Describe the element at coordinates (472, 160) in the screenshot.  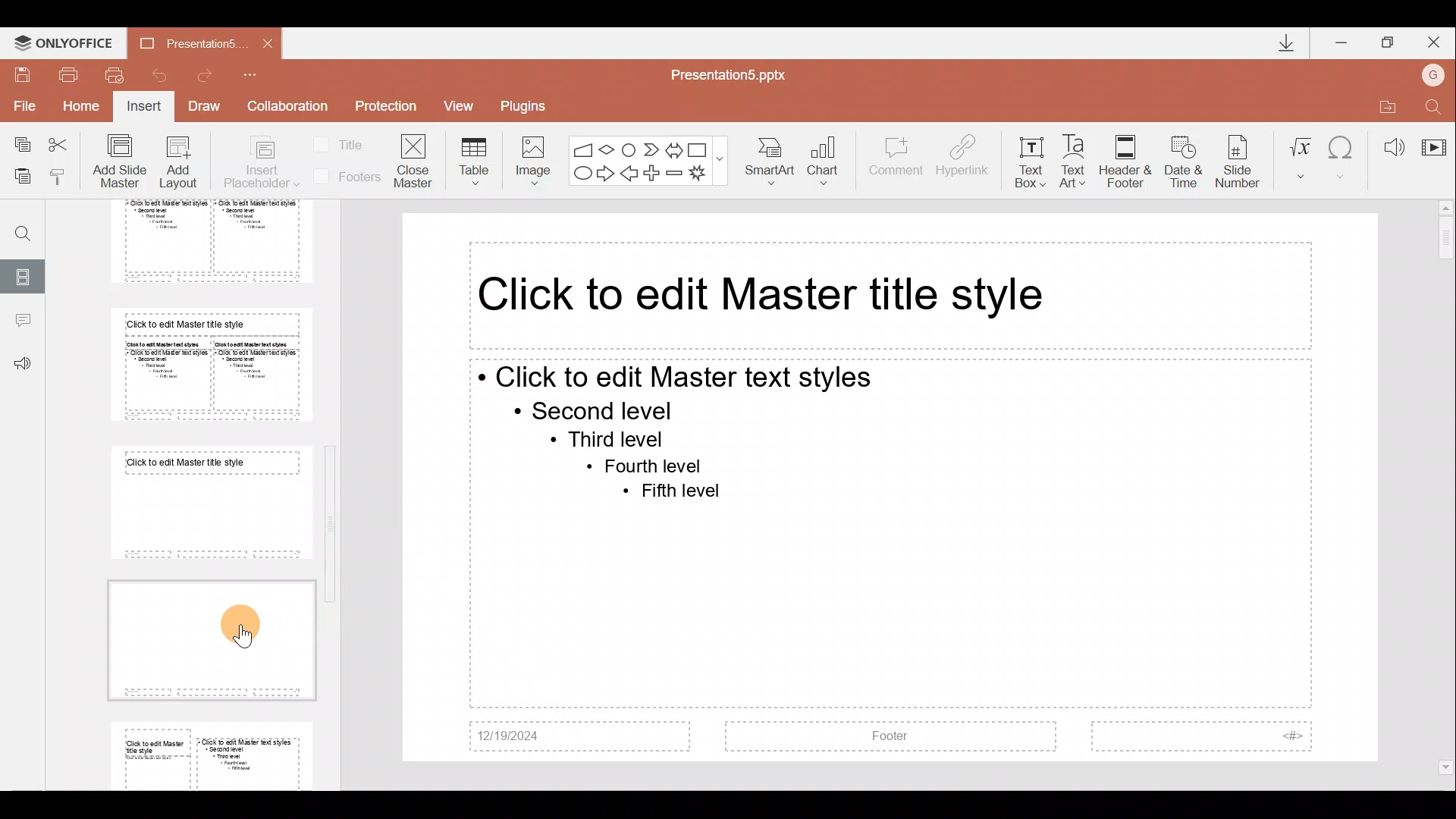
I see `Table` at that location.